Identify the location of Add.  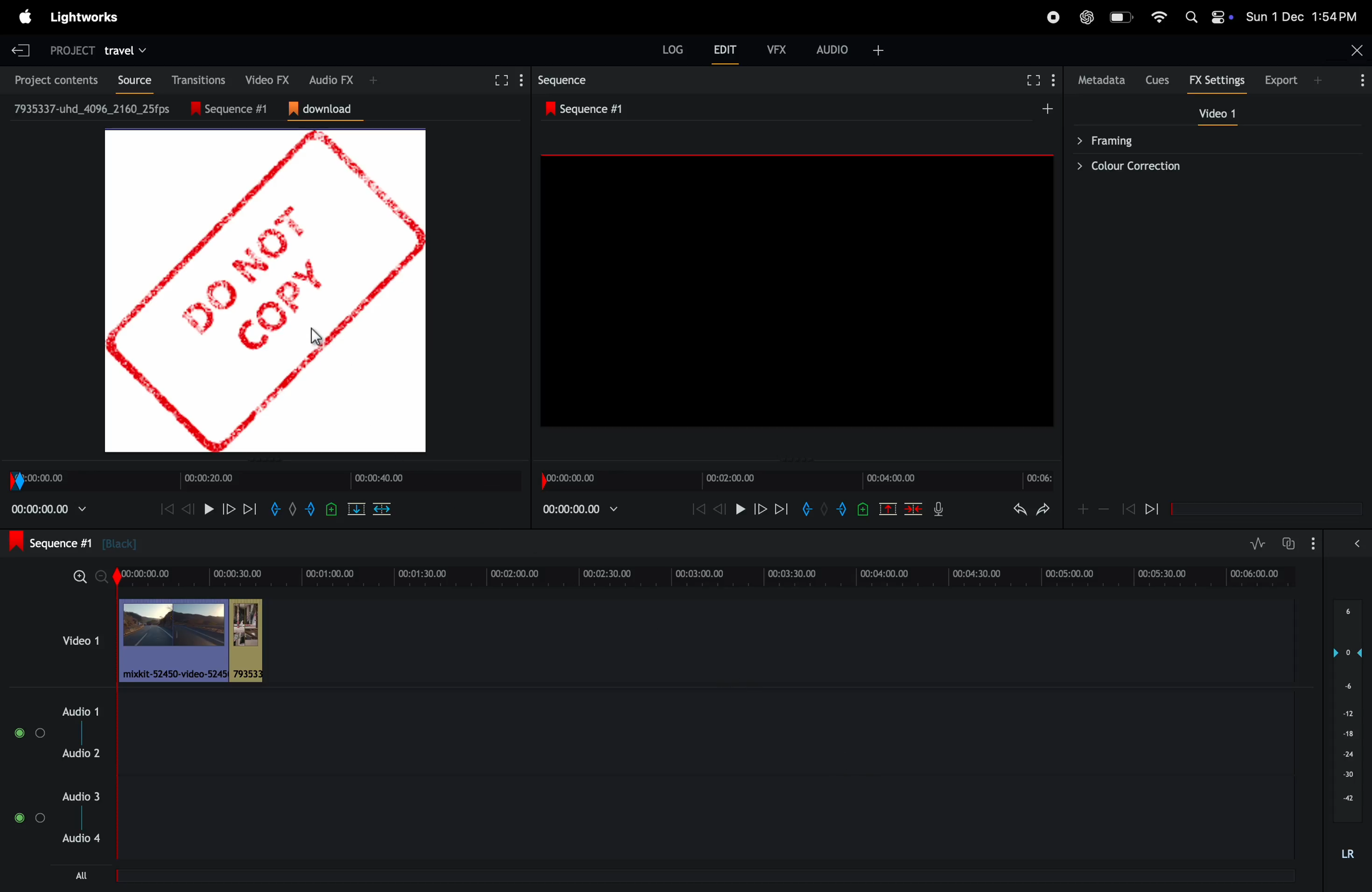
(1083, 509).